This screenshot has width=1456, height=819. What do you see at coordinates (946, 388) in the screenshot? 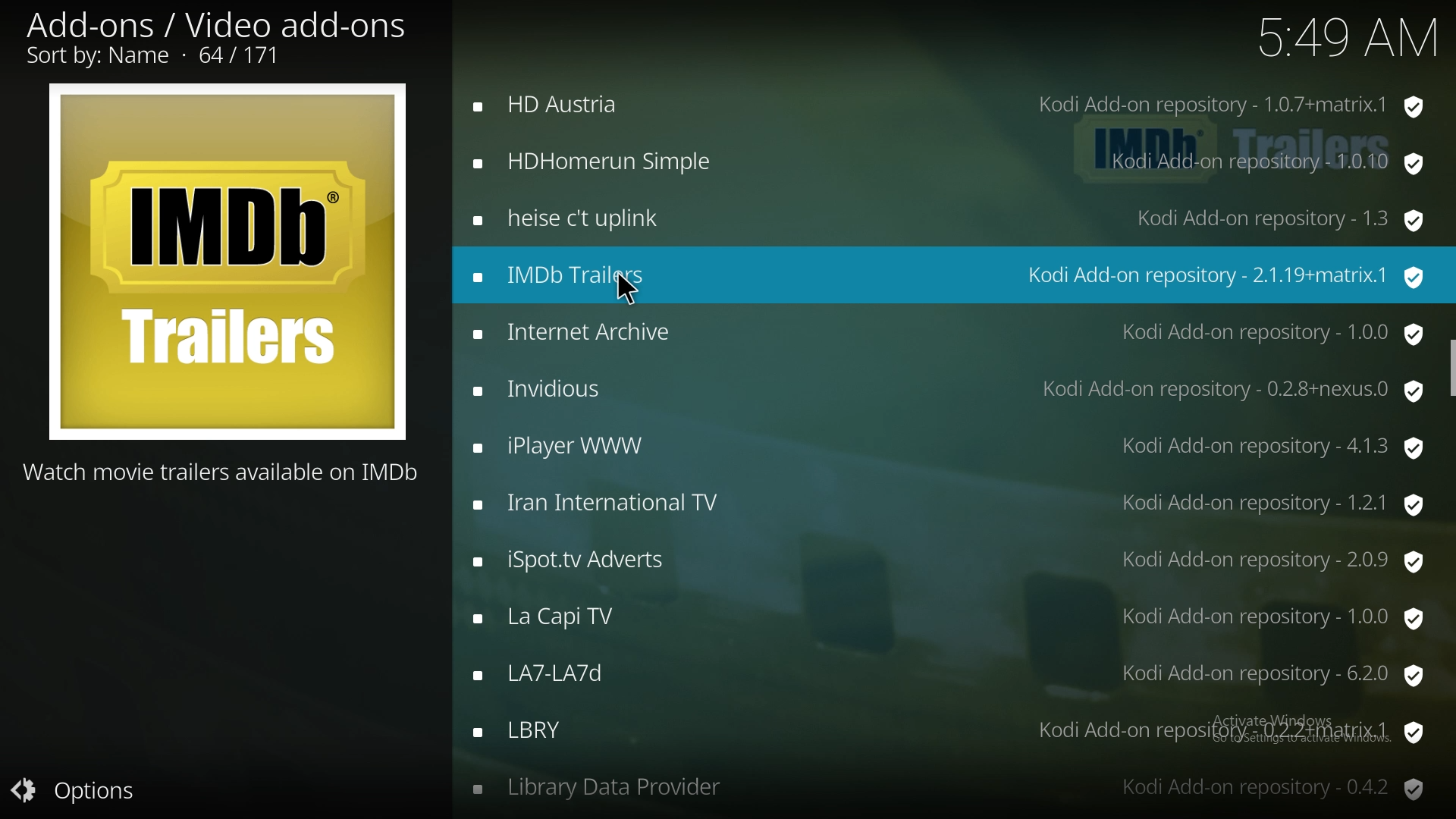
I see `add on` at bounding box center [946, 388].